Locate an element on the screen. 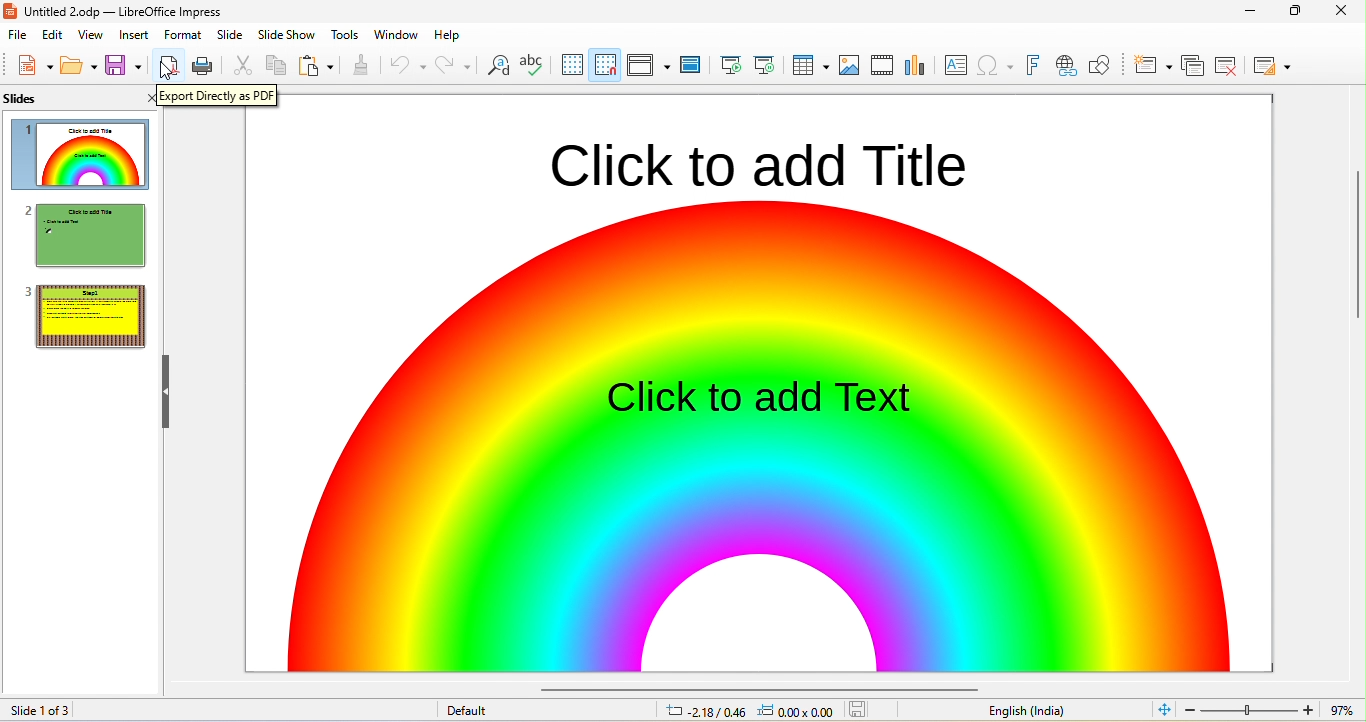 This screenshot has width=1366, height=722. chart is located at coordinates (915, 66).